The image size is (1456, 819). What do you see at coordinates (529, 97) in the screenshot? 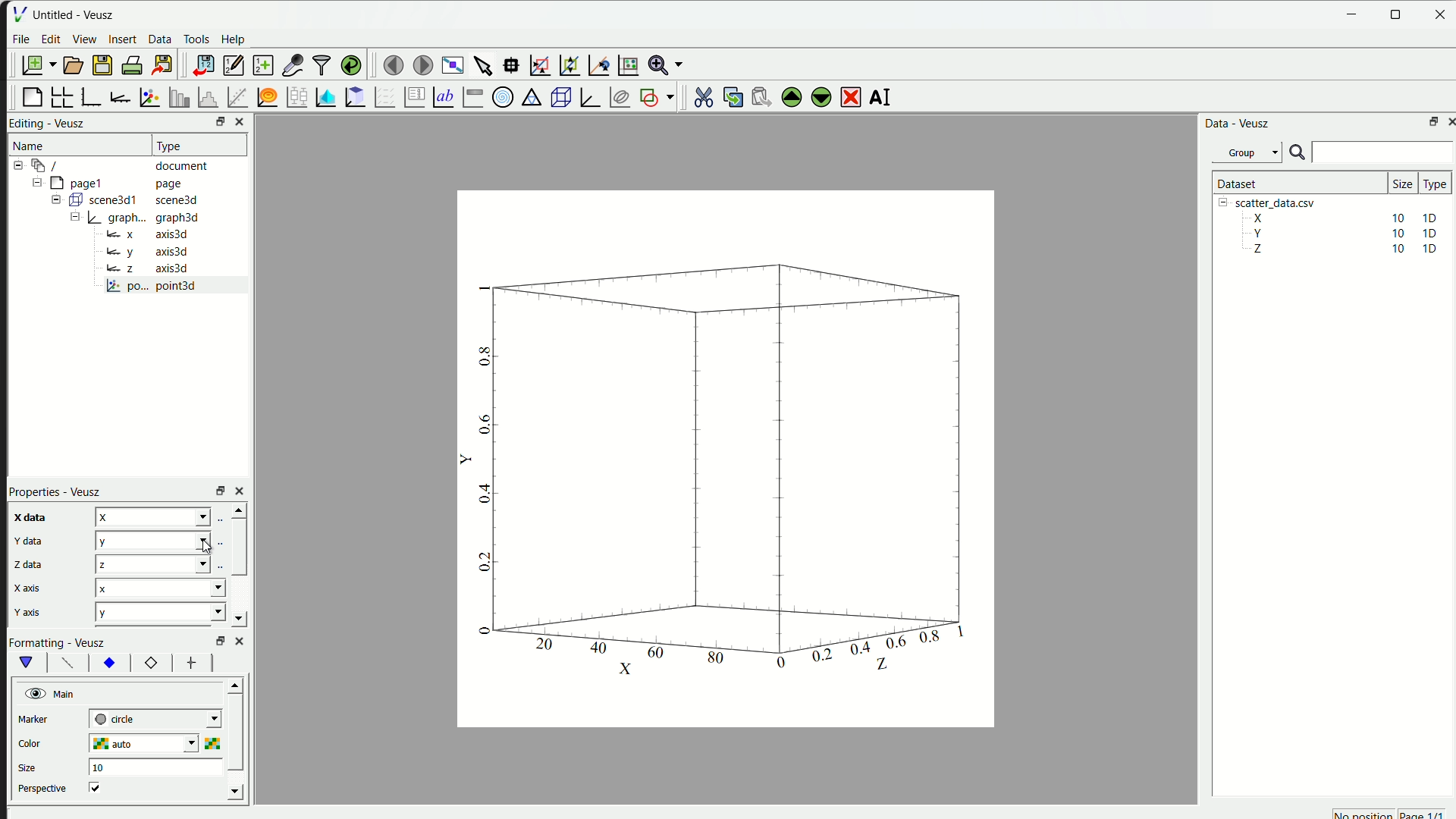
I see `Ternary Graph` at bounding box center [529, 97].